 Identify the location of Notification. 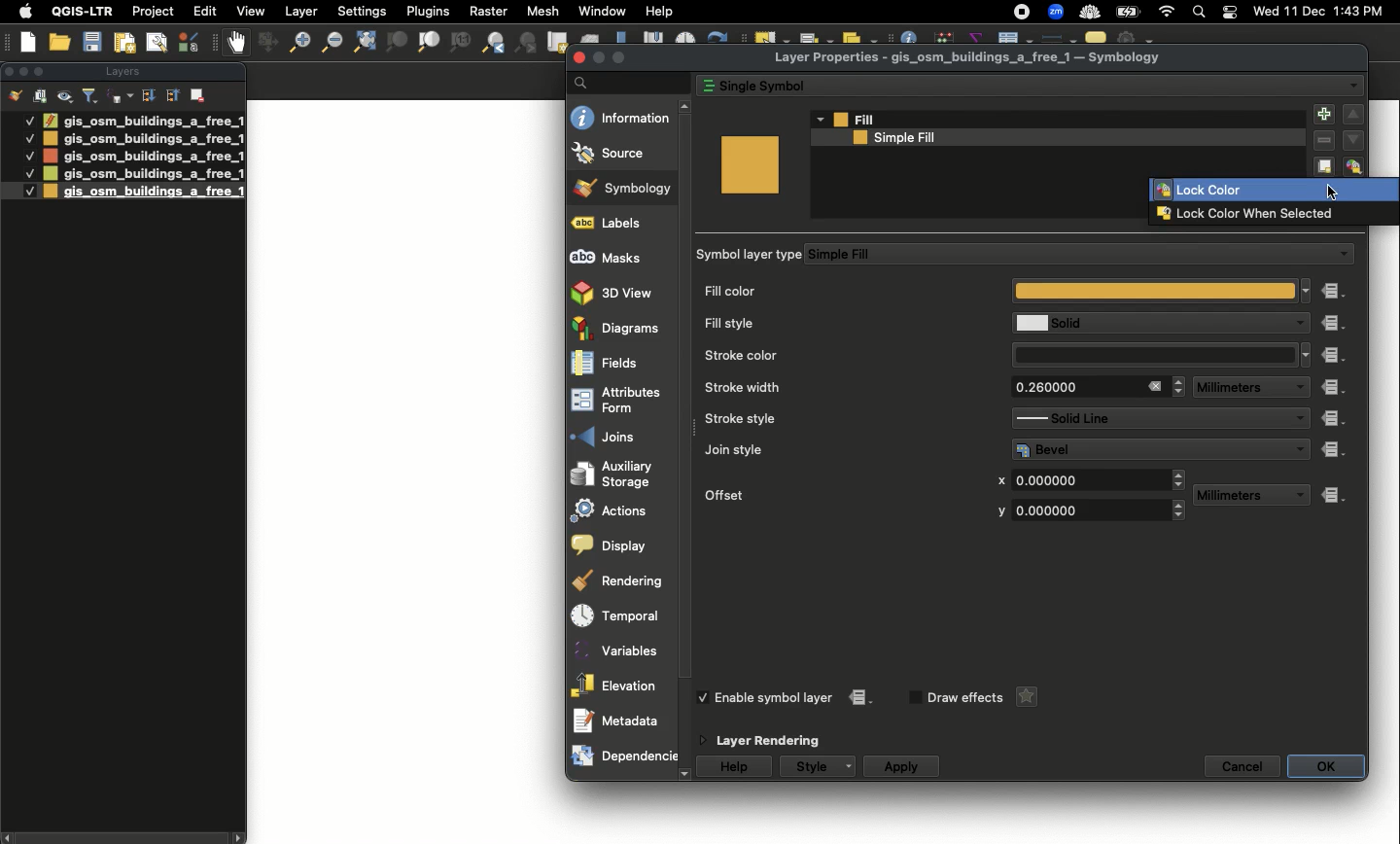
(1227, 13).